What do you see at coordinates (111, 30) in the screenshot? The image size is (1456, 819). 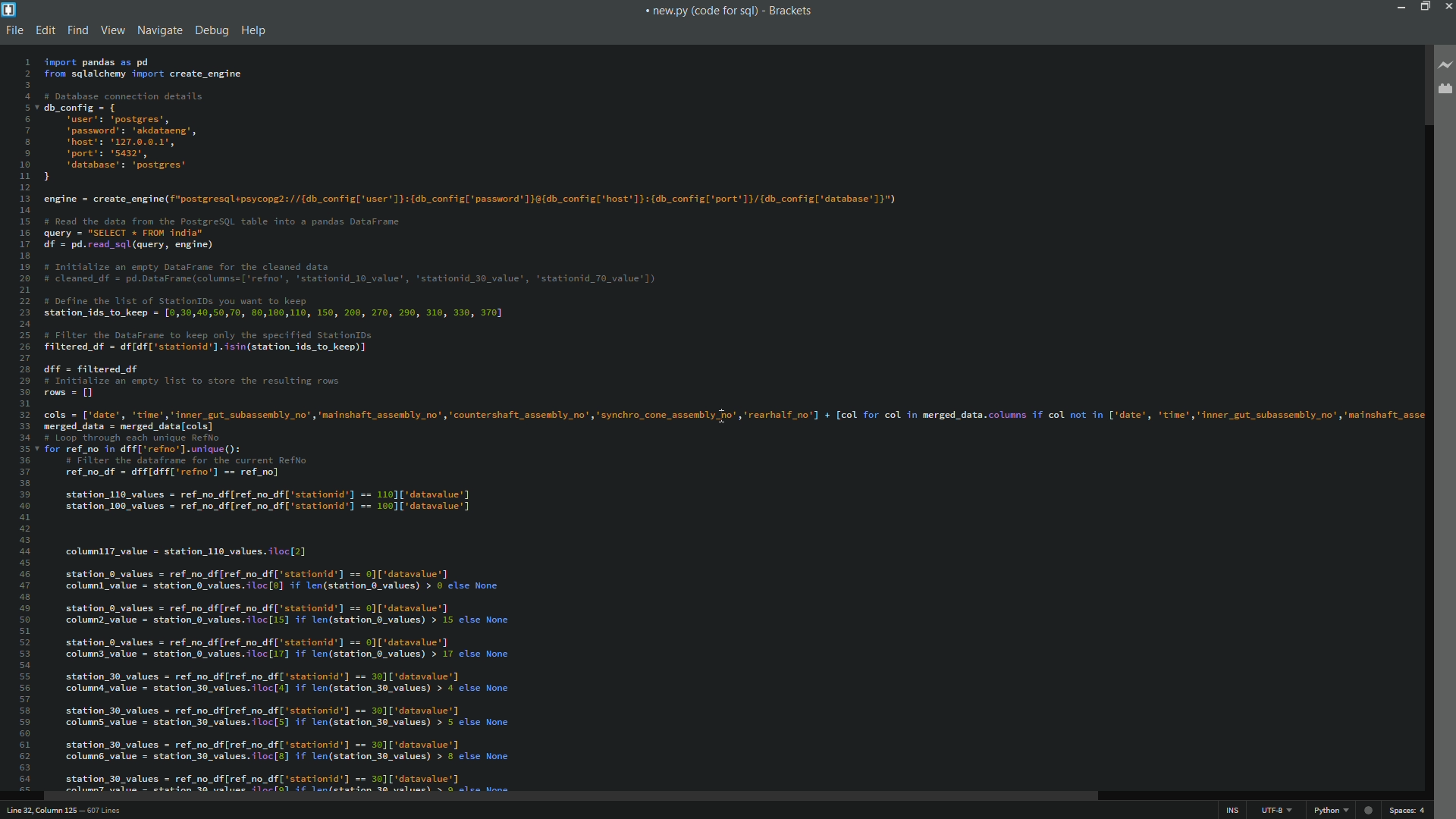 I see `view menu` at bounding box center [111, 30].